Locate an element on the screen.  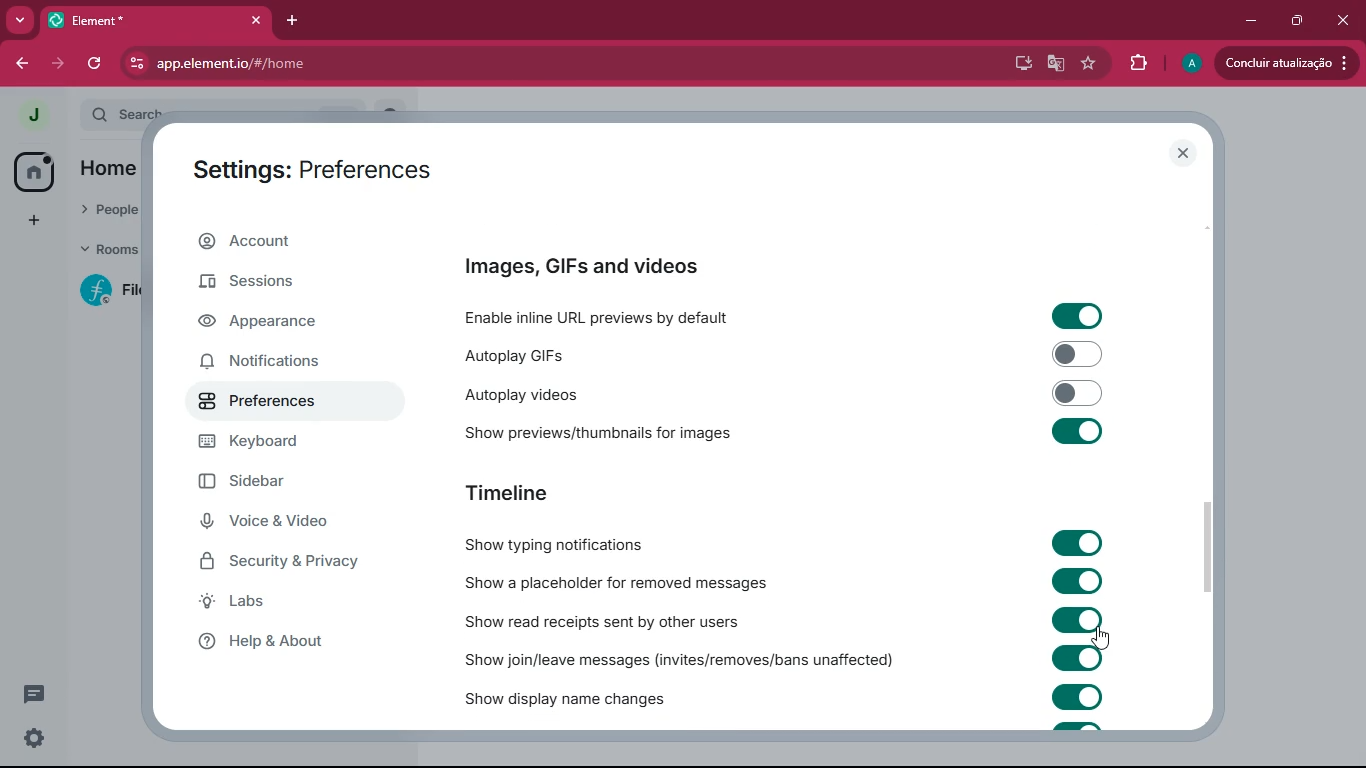
notifications is located at coordinates (280, 363).